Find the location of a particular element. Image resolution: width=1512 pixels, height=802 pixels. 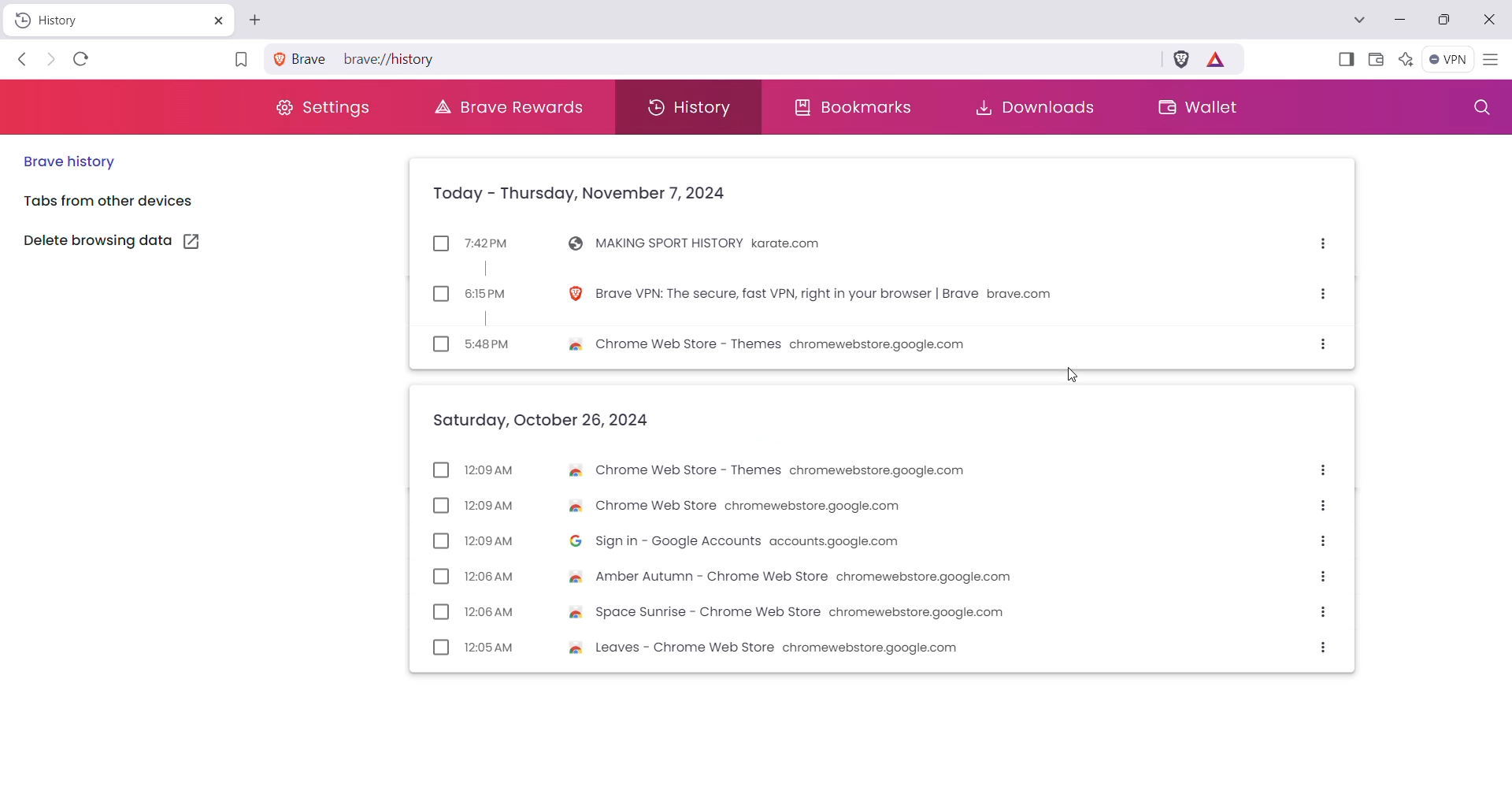

Earn tokens for private Ads you see on Brave is located at coordinates (1217, 59).